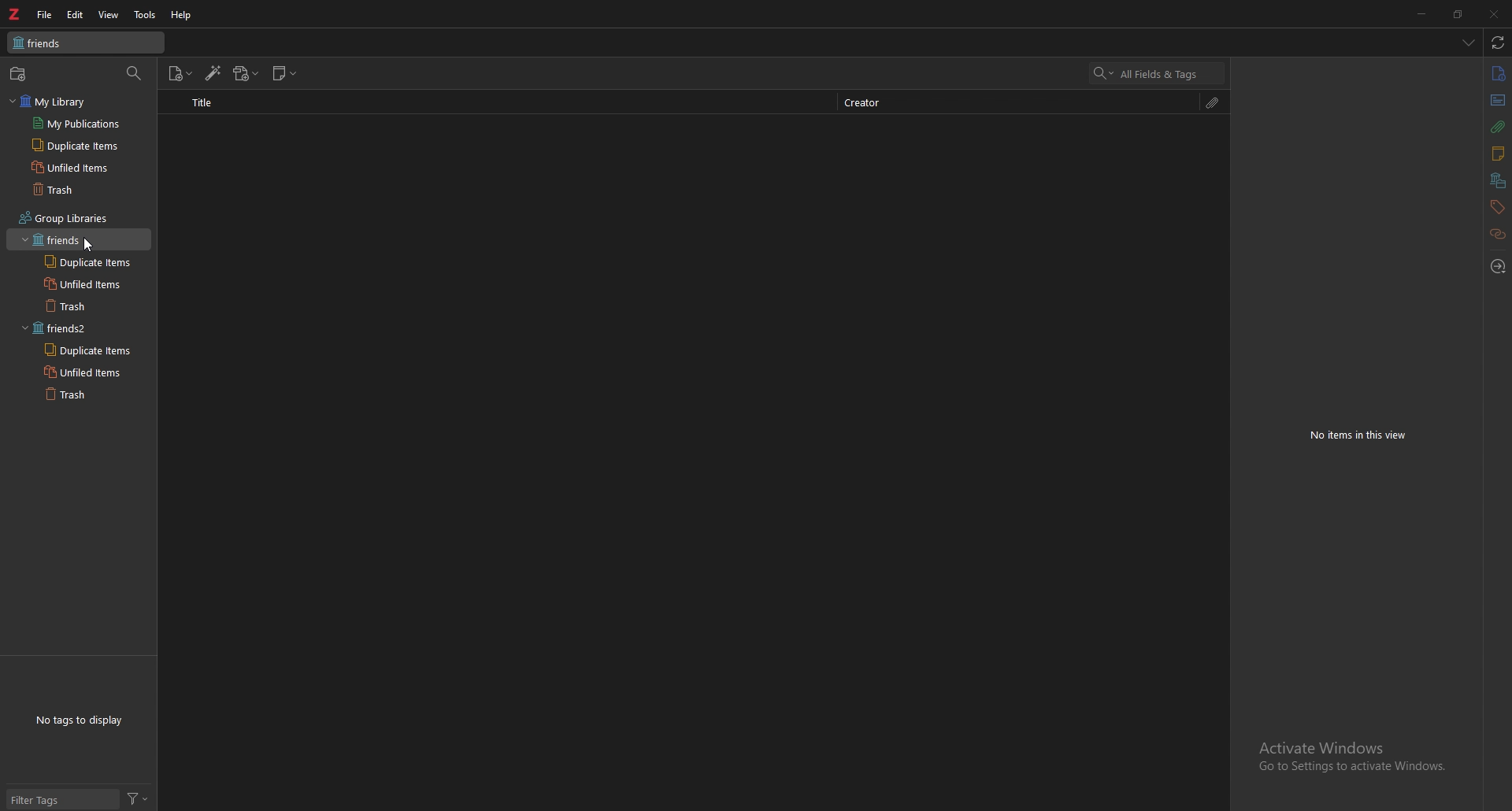 Image resolution: width=1512 pixels, height=811 pixels. I want to click on resize, so click(1458, 14).